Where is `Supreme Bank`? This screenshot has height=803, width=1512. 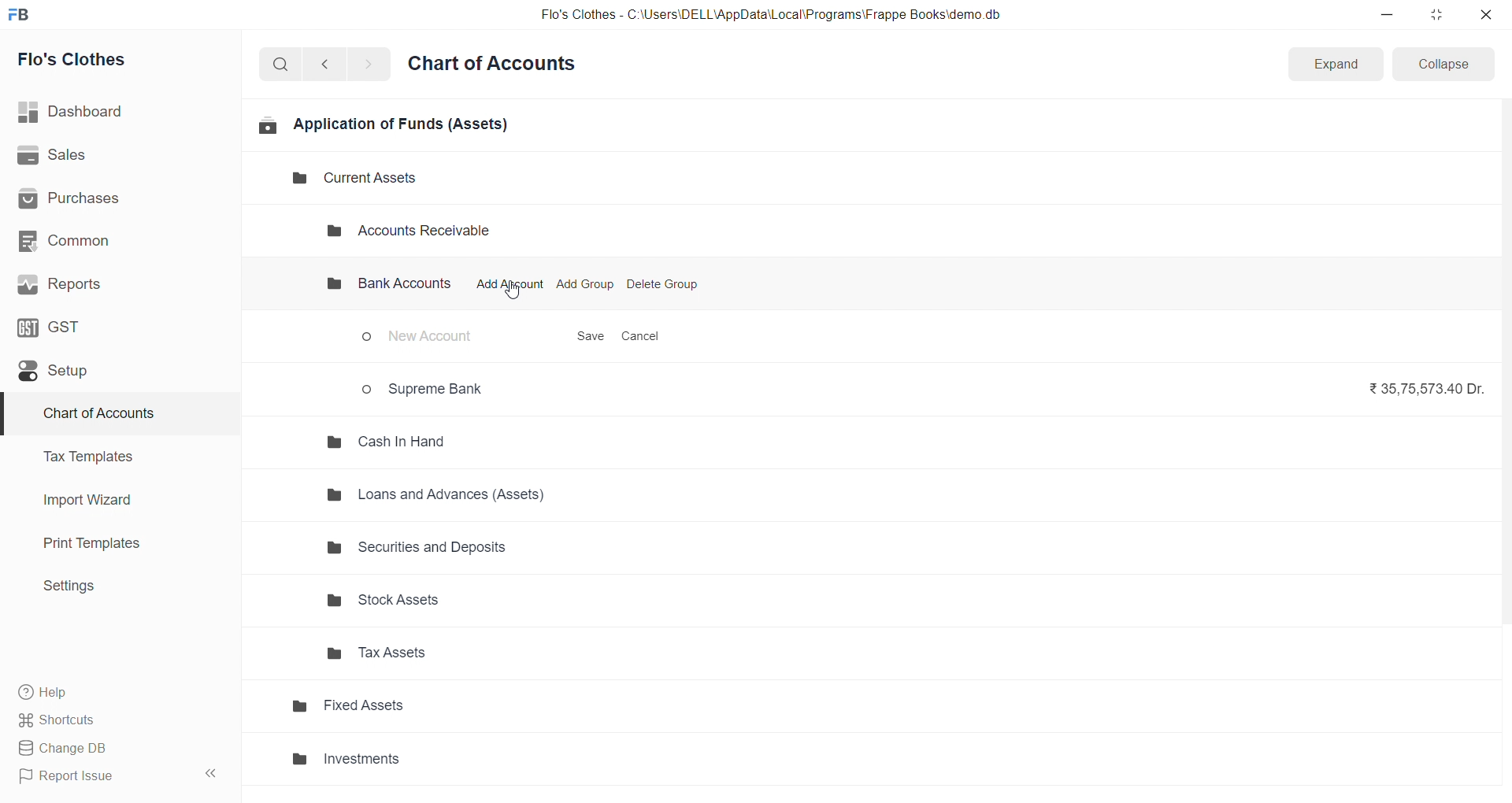 Supreme Bank is located at coordinates (428, 388).